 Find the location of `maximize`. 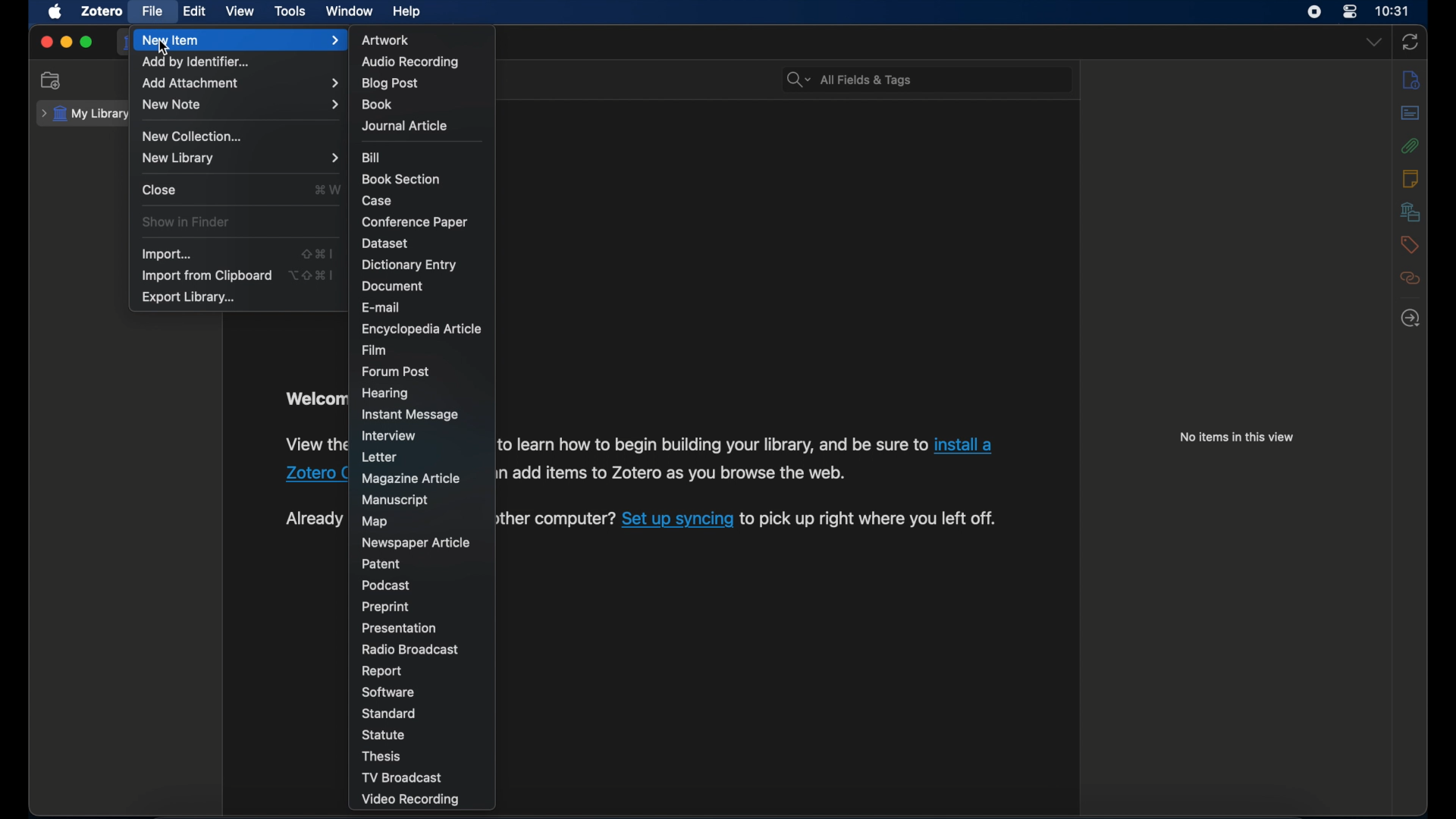

maximize is located at coordinates (87, 42).